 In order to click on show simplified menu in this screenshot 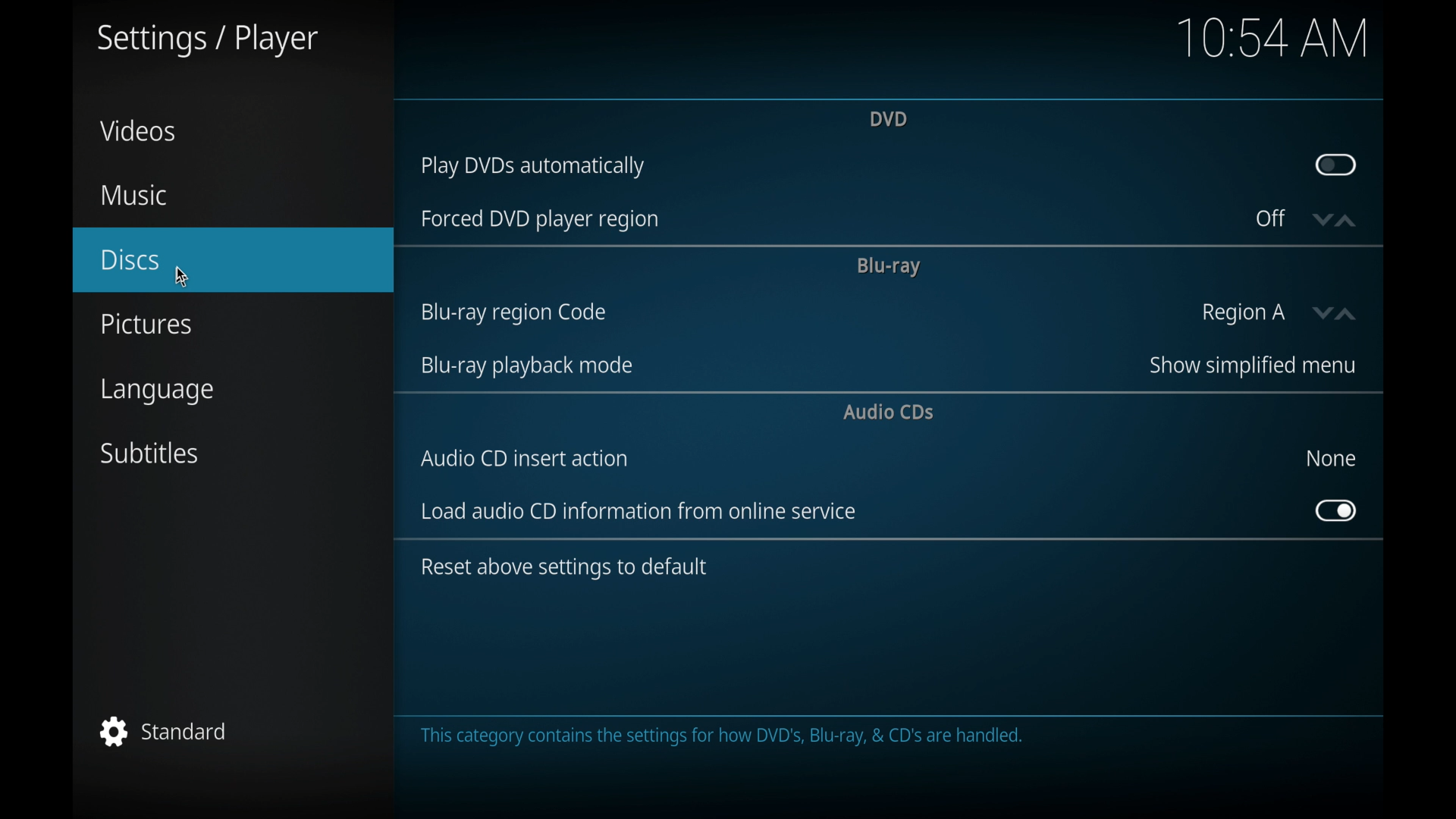, I will do `click(1250, 366)`.